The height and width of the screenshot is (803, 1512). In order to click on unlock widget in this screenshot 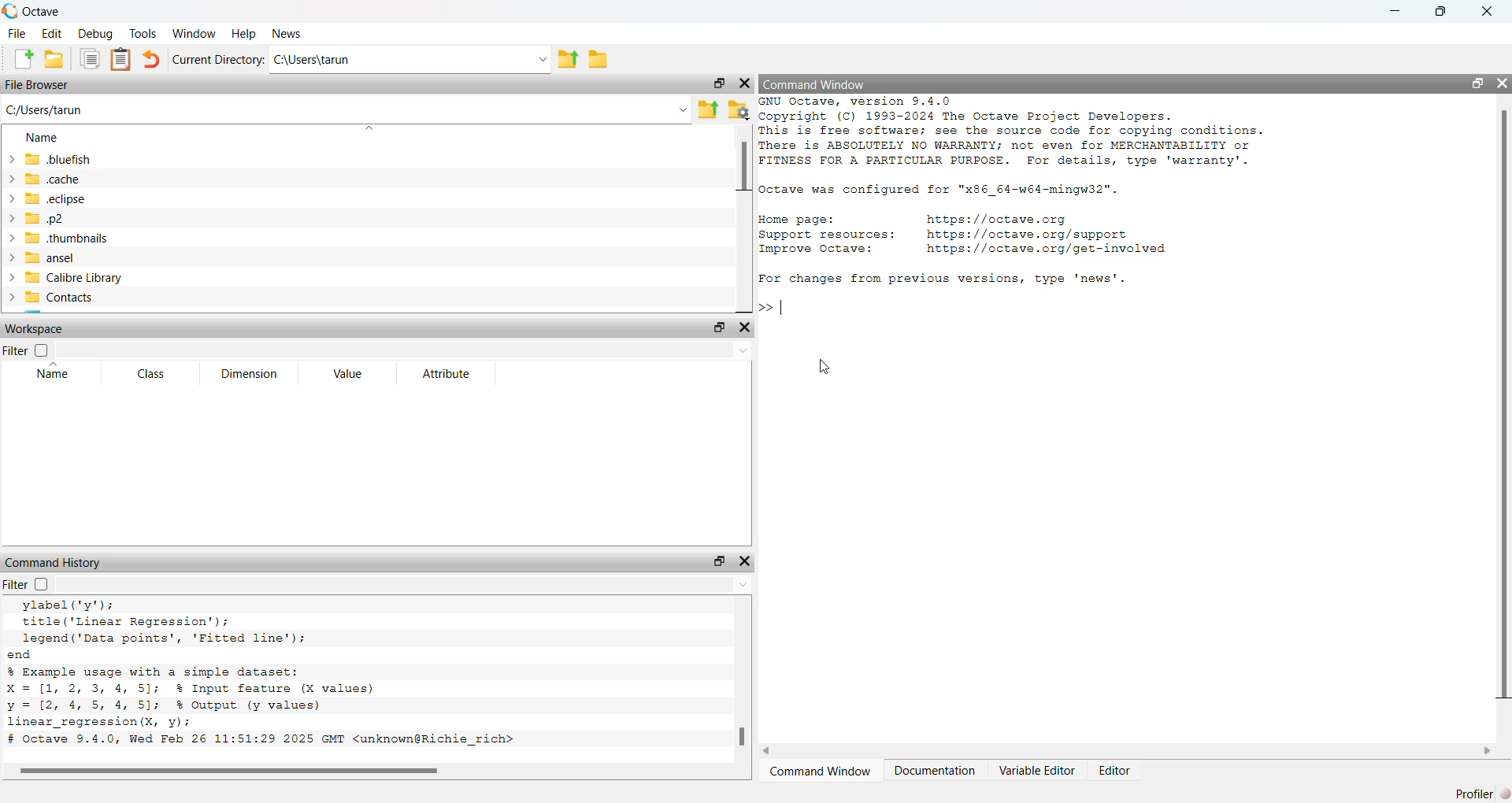, I will do `click(721, 327)`.